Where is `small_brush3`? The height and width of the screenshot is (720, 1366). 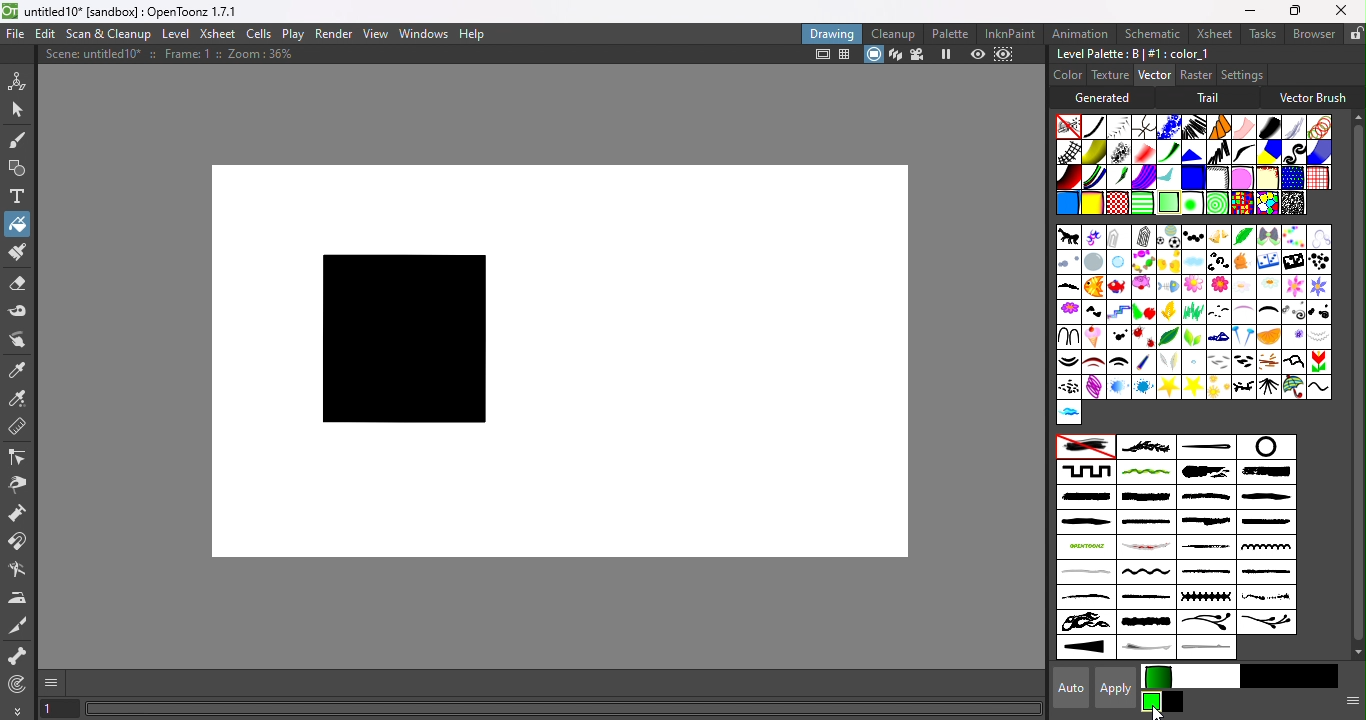
small_brush3 is located at coordinates (1086, 598).